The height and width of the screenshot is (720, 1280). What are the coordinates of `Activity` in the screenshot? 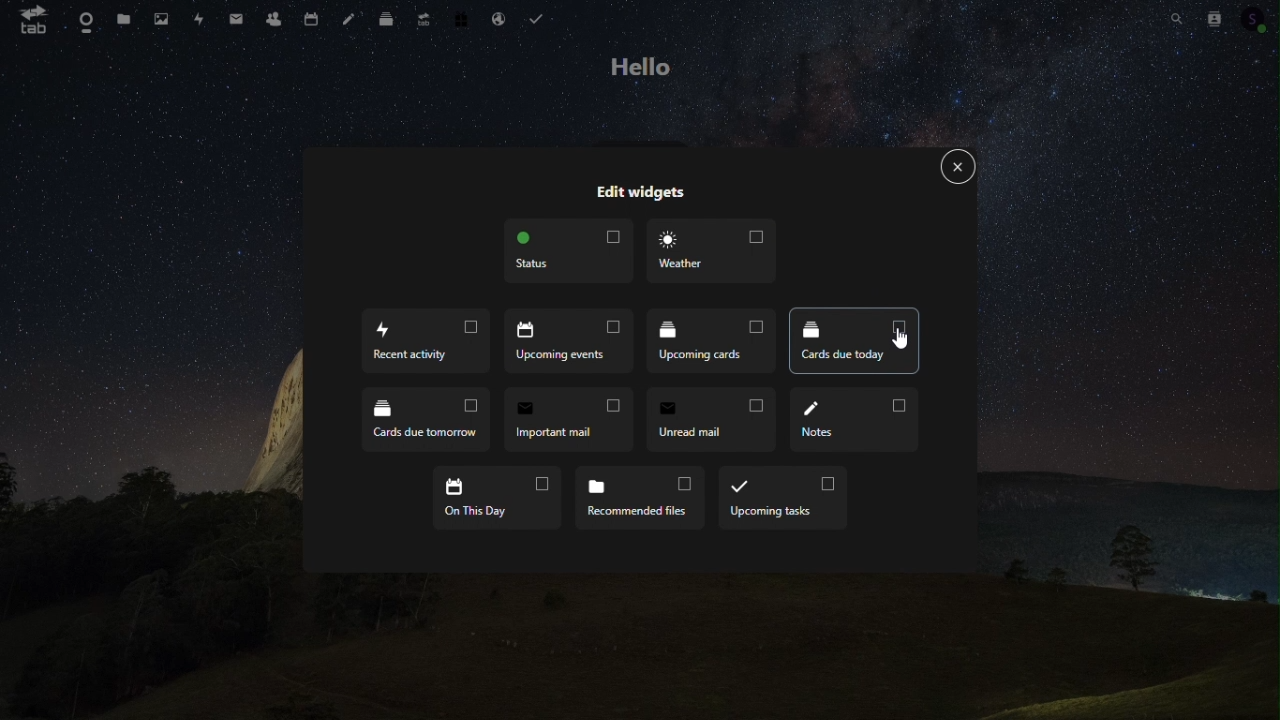 It's located at (200, 19).